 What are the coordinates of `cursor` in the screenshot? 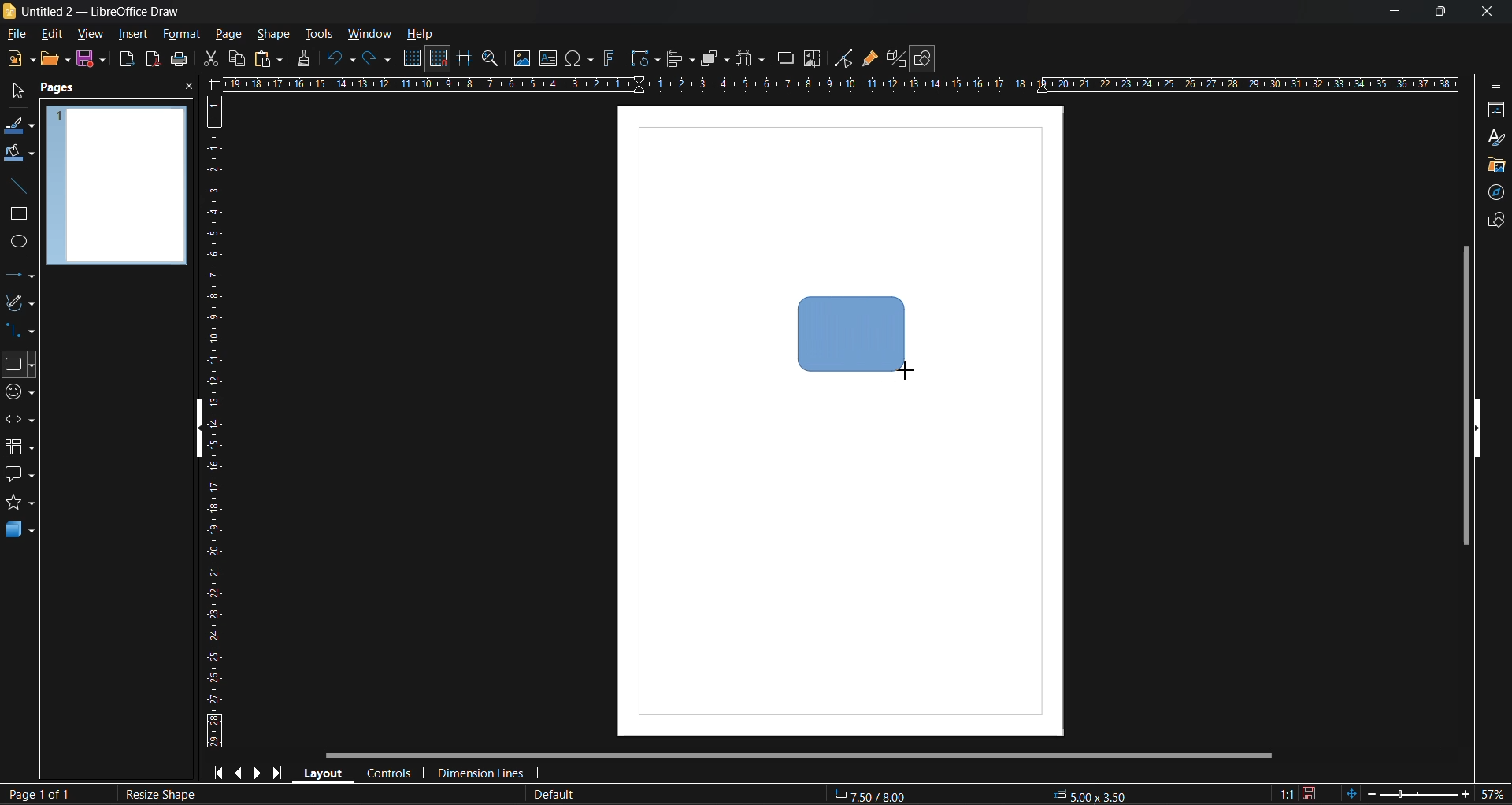 It's located at (906, 369).